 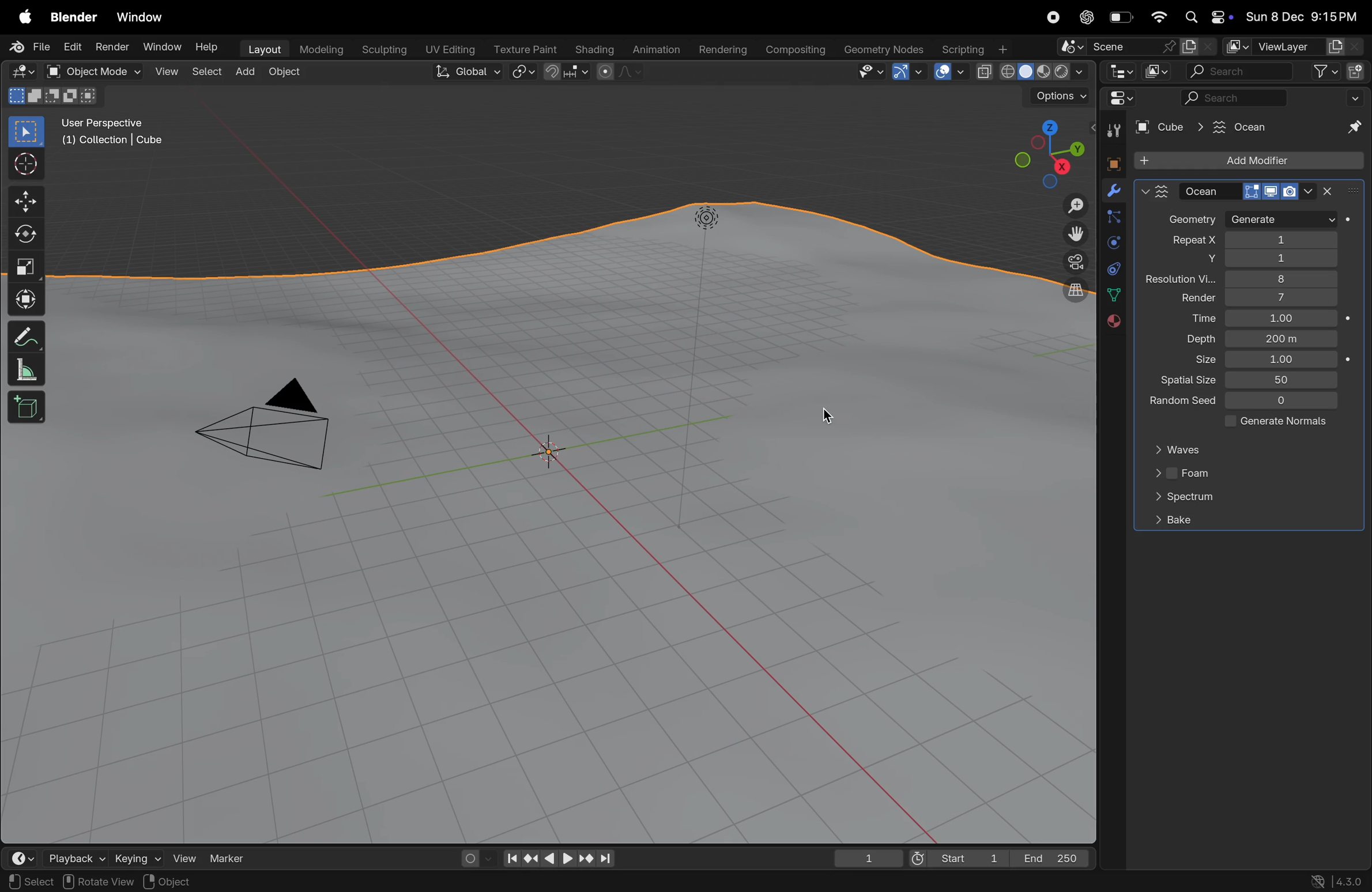 What do you see at coordinates (109, 124) in the screenshot?
I see `use erception` at bounding box center [109, 124].